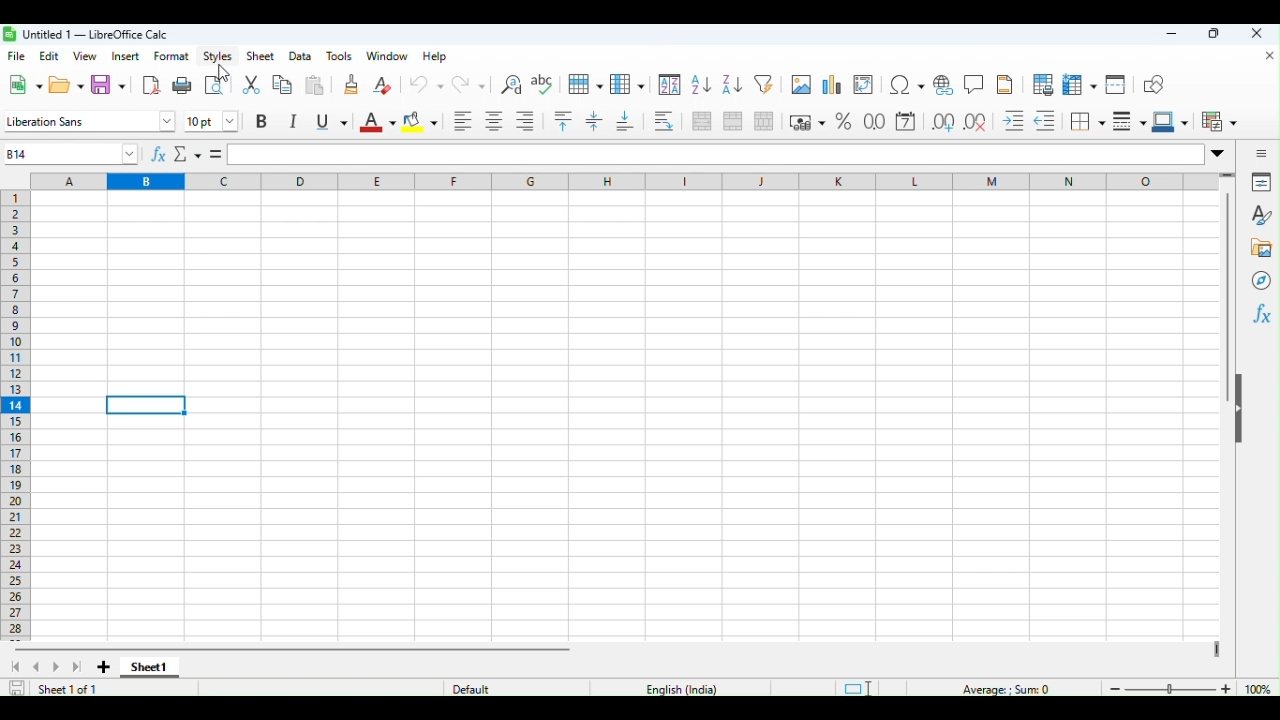  I want to click on Column, so click(627, 83).